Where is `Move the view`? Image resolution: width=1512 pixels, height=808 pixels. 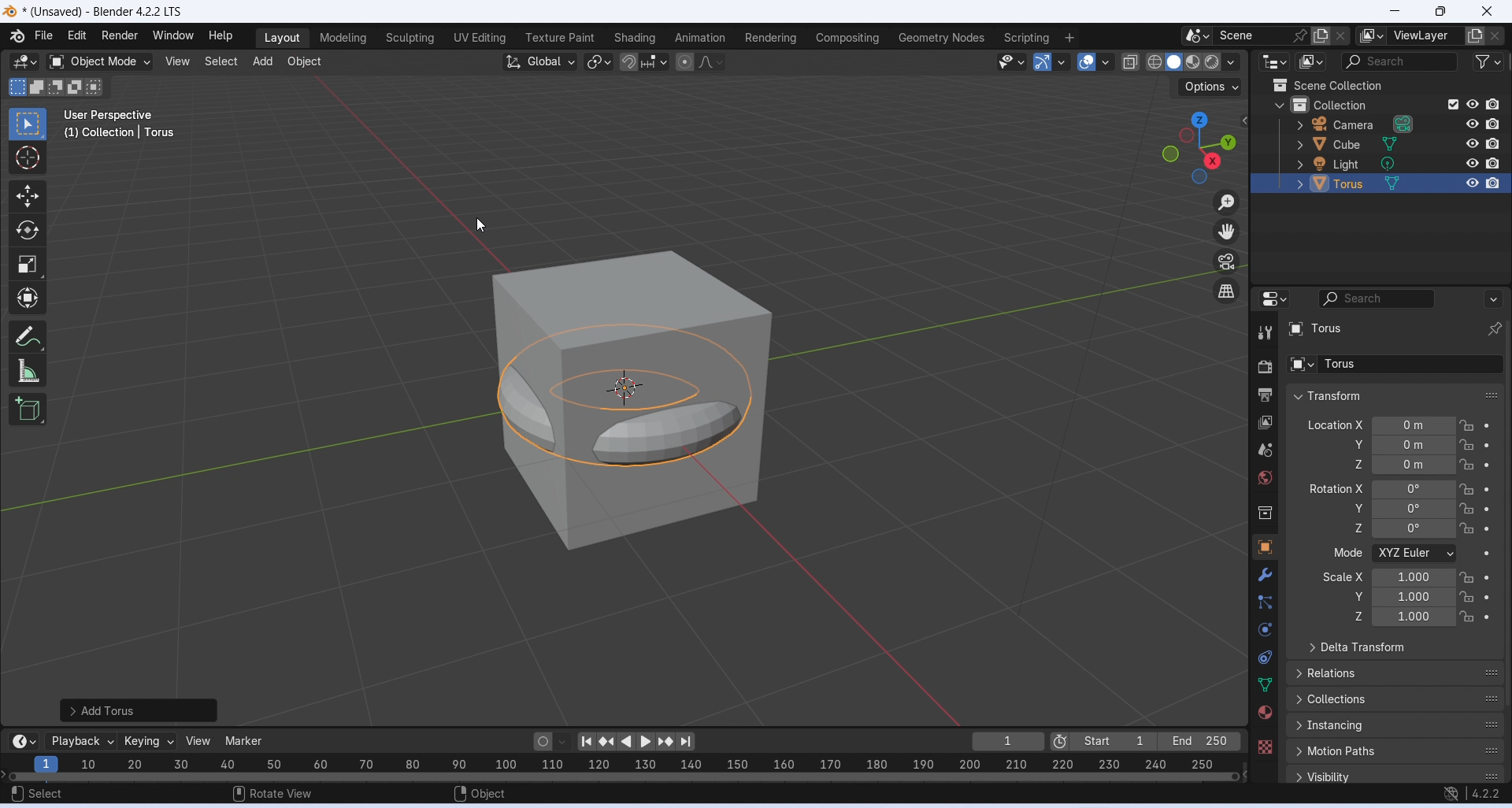 Move the view is located at coordinates (1229, 232).